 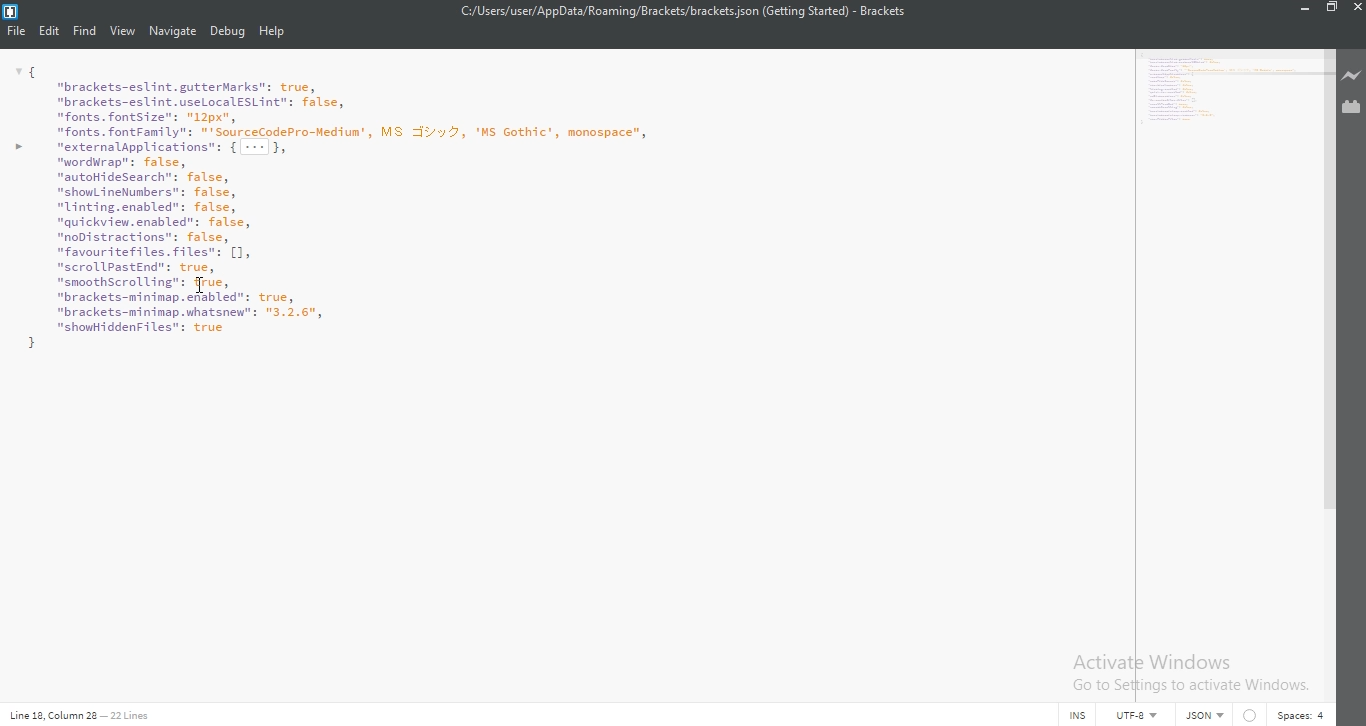 I want to click on View, so click(x=123, y=32).